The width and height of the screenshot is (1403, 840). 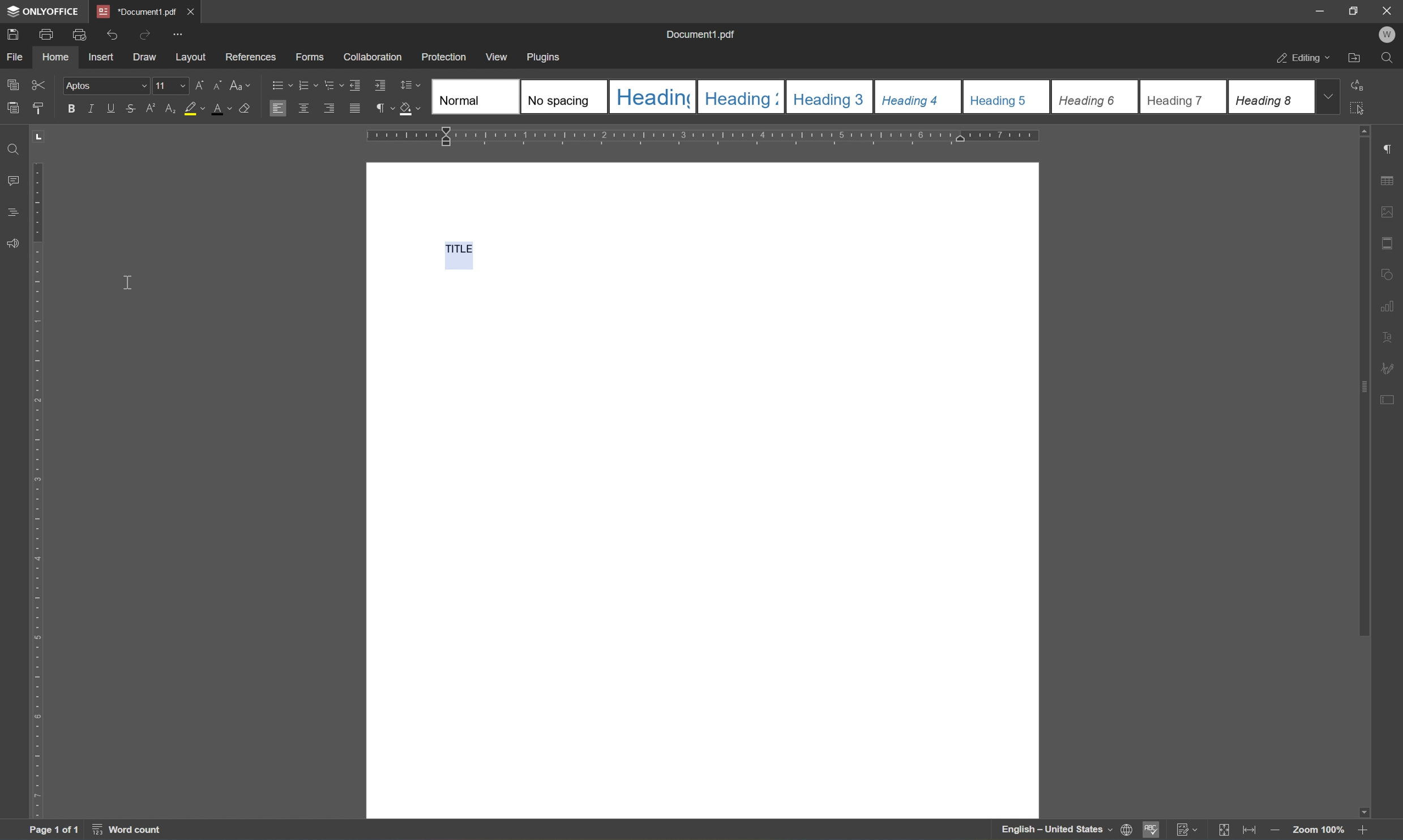 What do you see at coordinates (244, 84) in the screenshot?
I see `change case` at bounding box center [244, 84].